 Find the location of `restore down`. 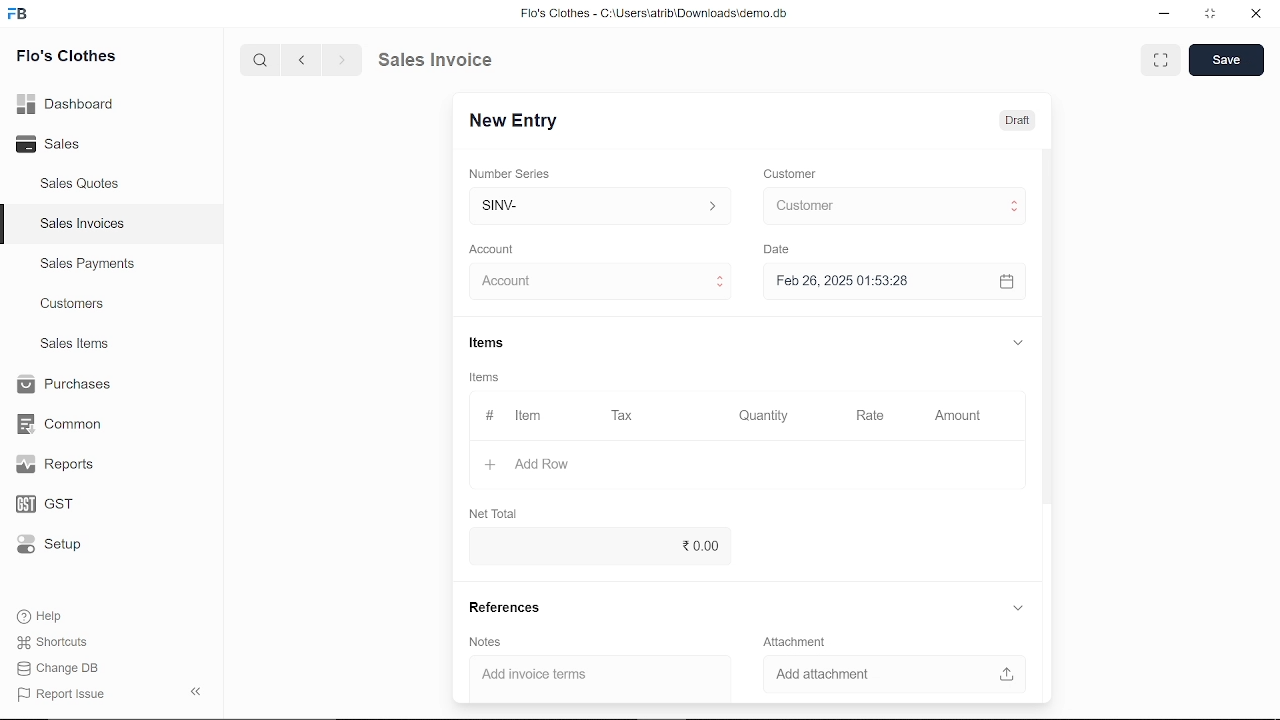

restore down is located at coordinates (1212, 15).